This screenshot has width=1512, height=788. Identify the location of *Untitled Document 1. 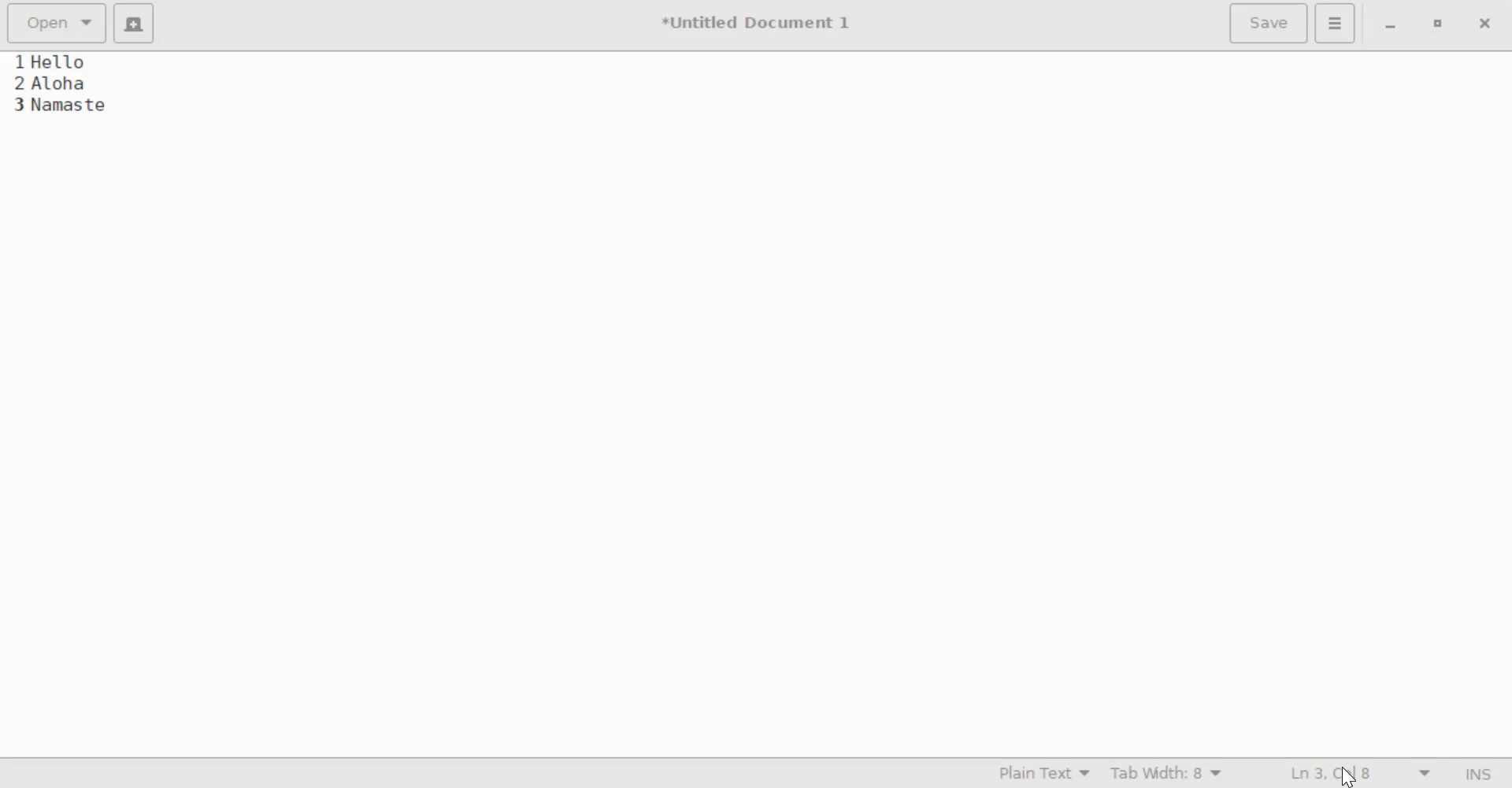
(763, 21).